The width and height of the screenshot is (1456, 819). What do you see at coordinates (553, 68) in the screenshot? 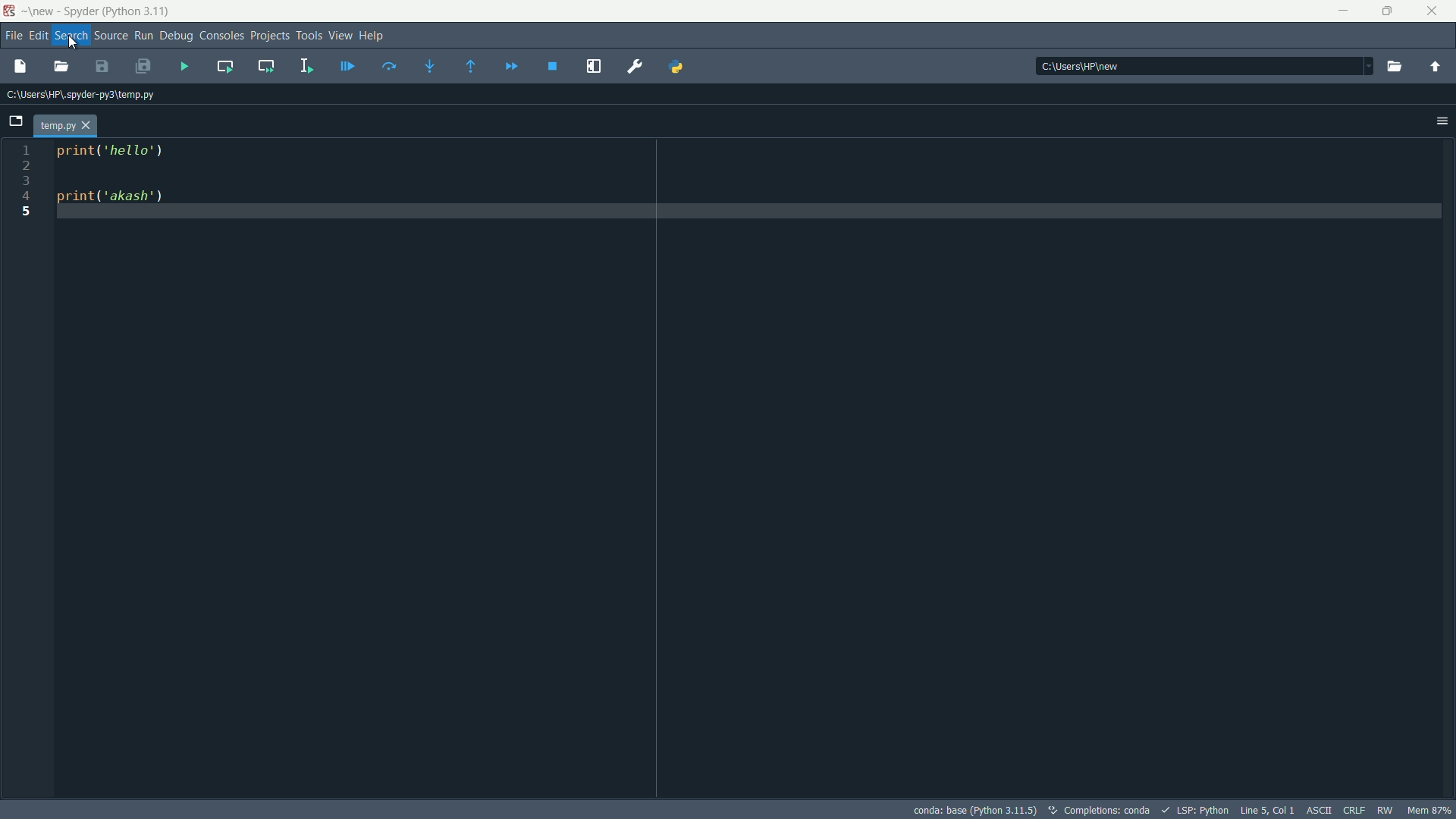
I see `stop debugging file` at bounding box center [553, 68].